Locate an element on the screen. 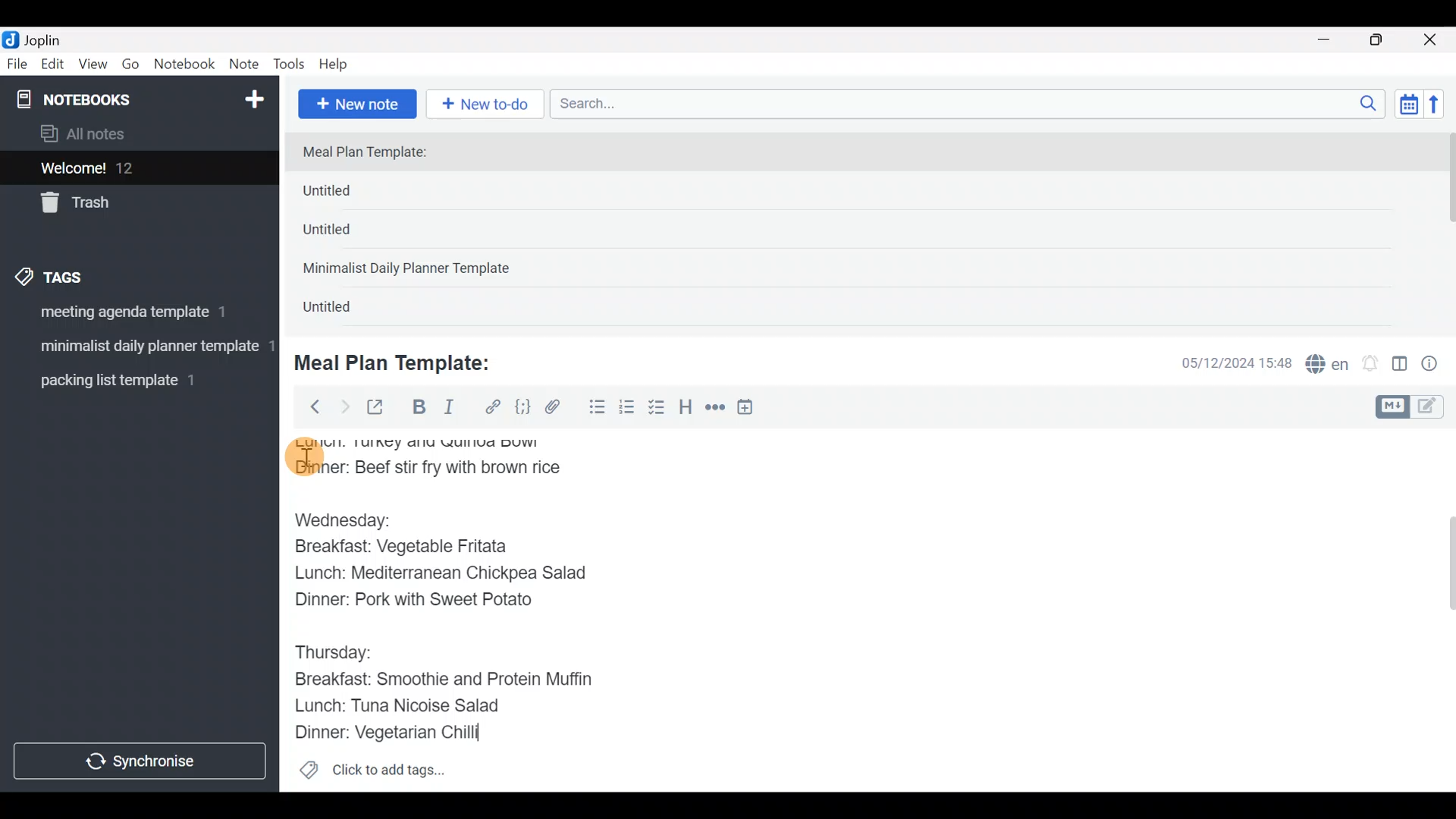 The height and width of the screenshot is (819, 1456). Untitled is located at coordinates (344, 310).